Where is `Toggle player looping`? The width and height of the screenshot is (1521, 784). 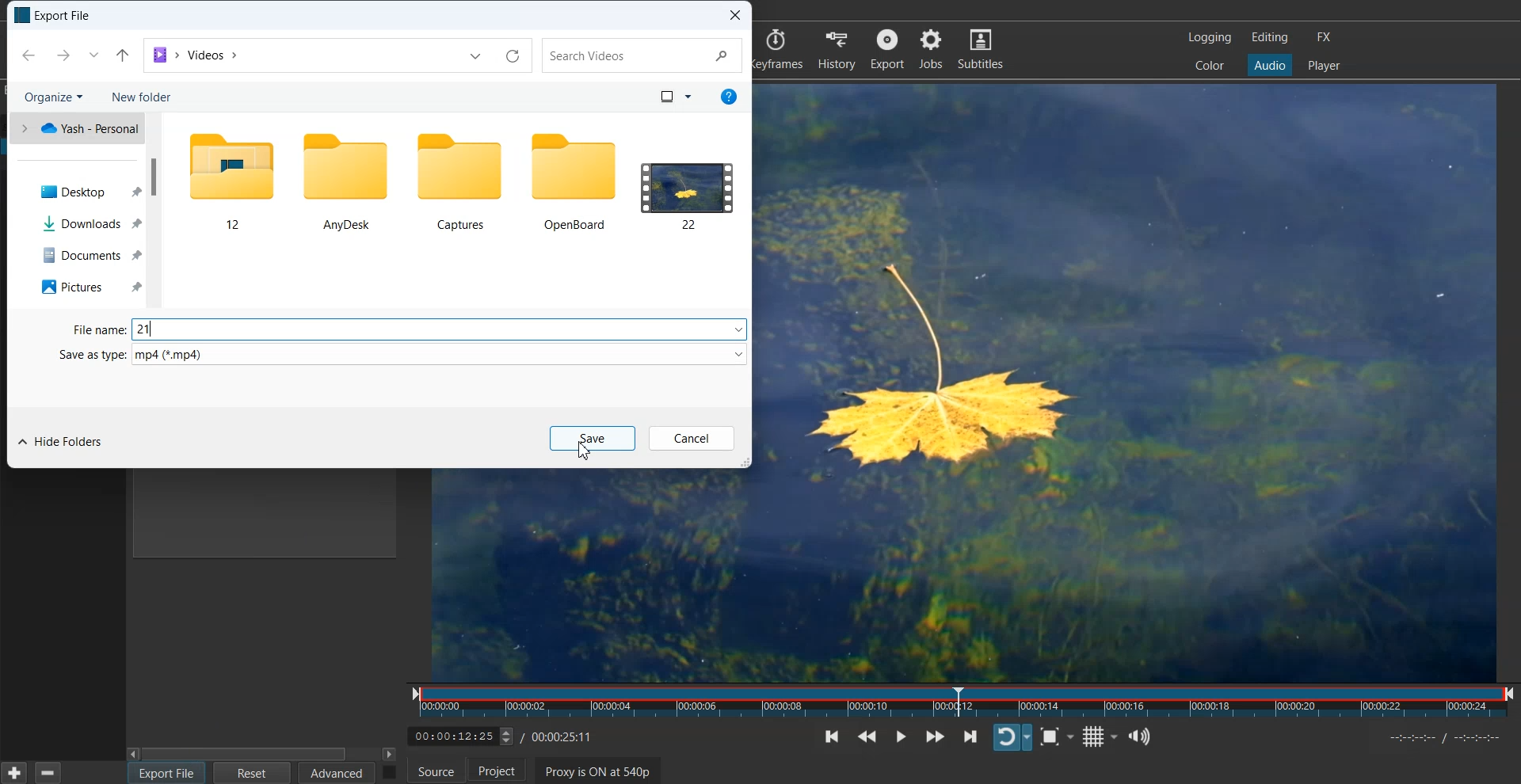 Toggle player looping is located at coordinates (1012, 736).